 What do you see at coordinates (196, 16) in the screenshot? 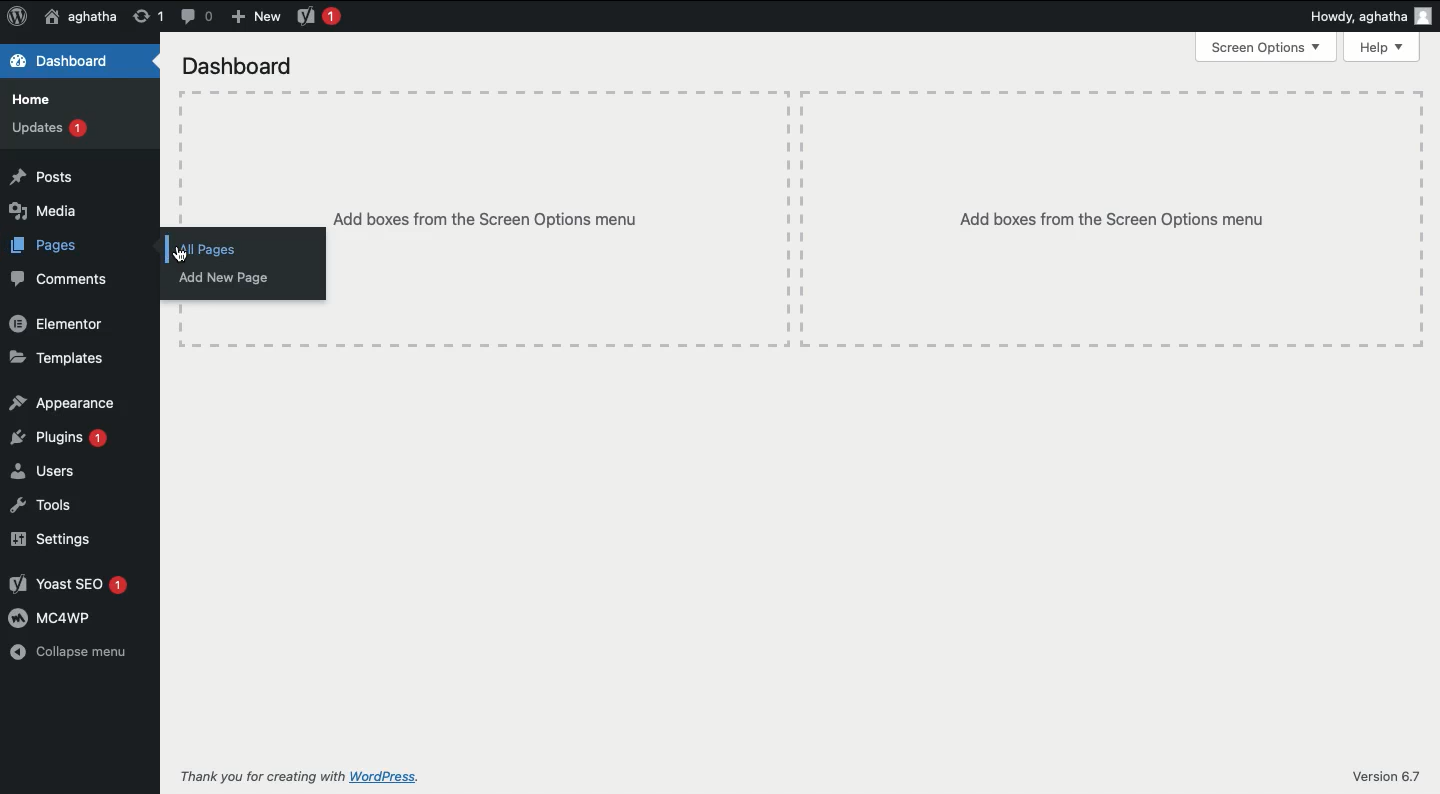
I see `Comment` at bounding box center [196, 16].